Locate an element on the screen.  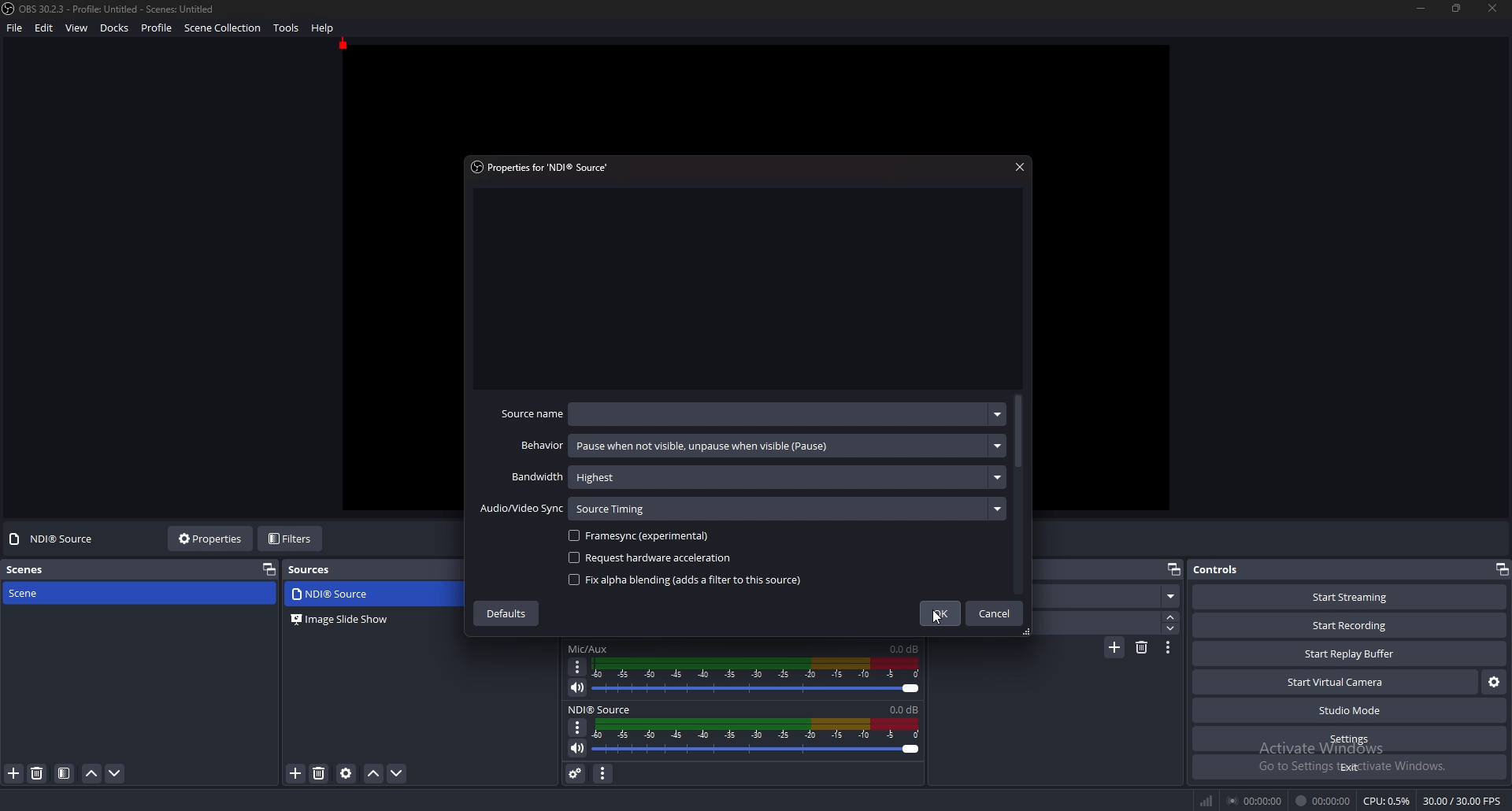
source properties is located at coordinates (346, 773).